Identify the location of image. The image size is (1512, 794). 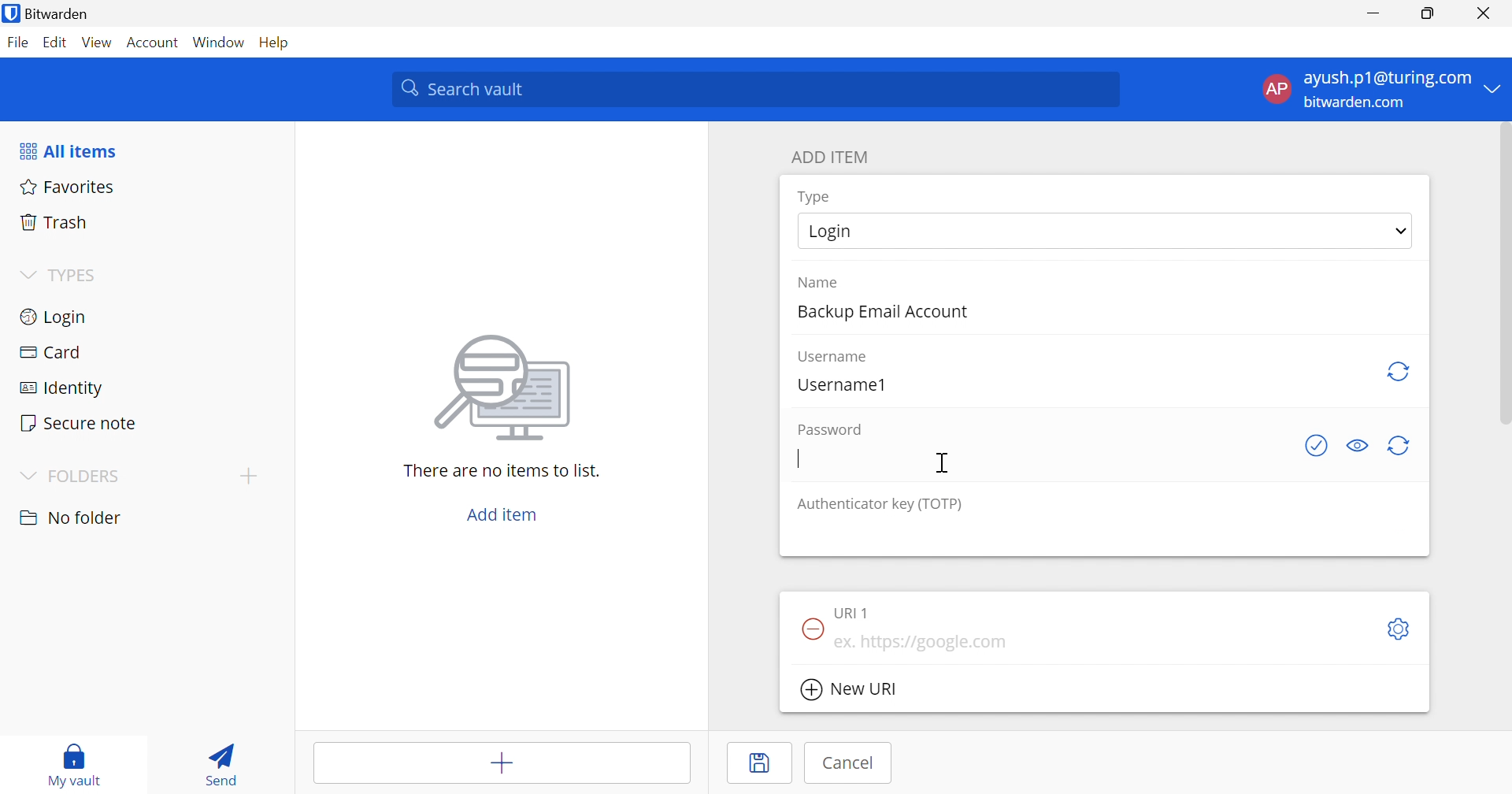
(503, 391).